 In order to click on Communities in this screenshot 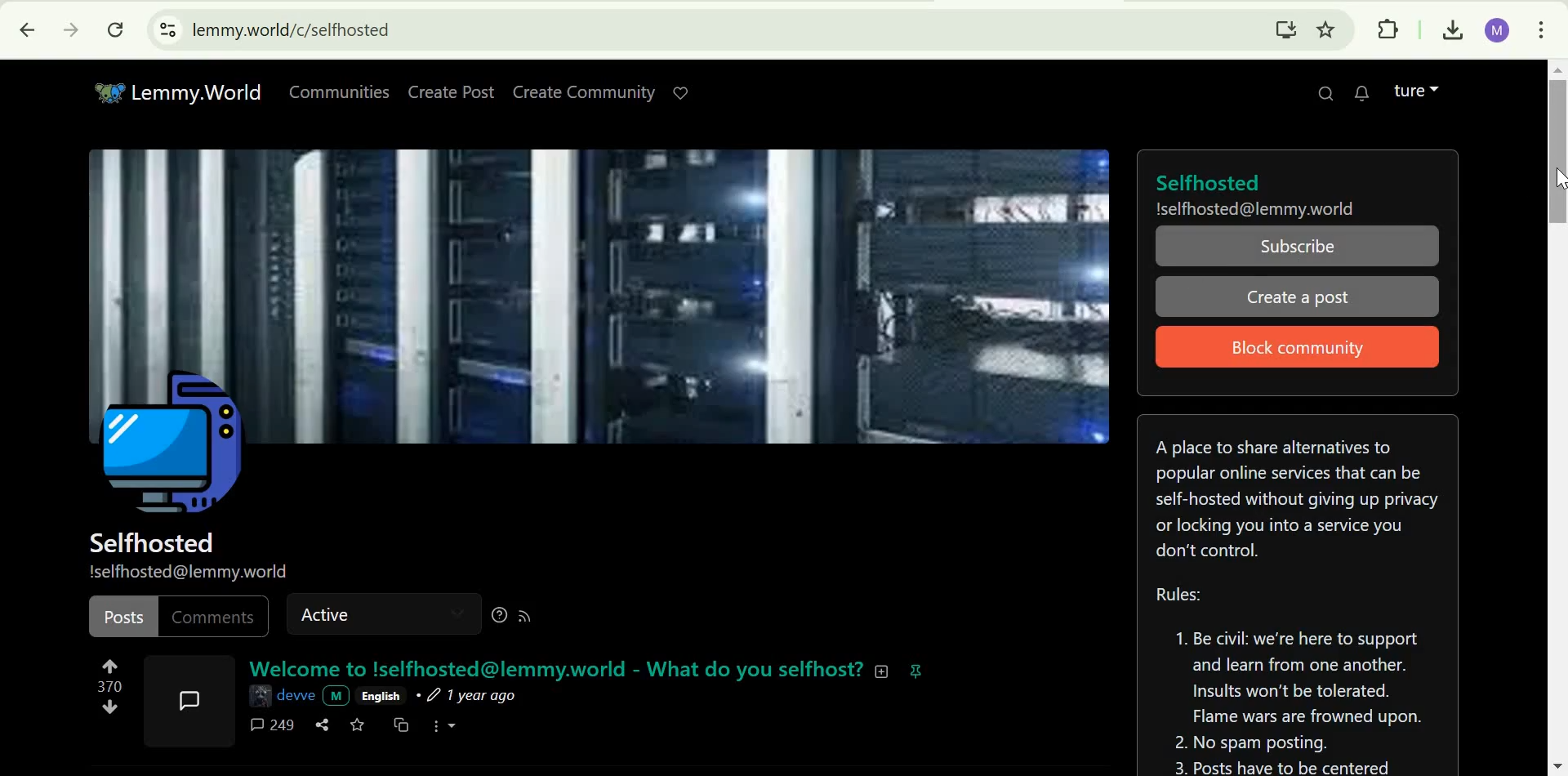, I will do `click(340, 90)`.